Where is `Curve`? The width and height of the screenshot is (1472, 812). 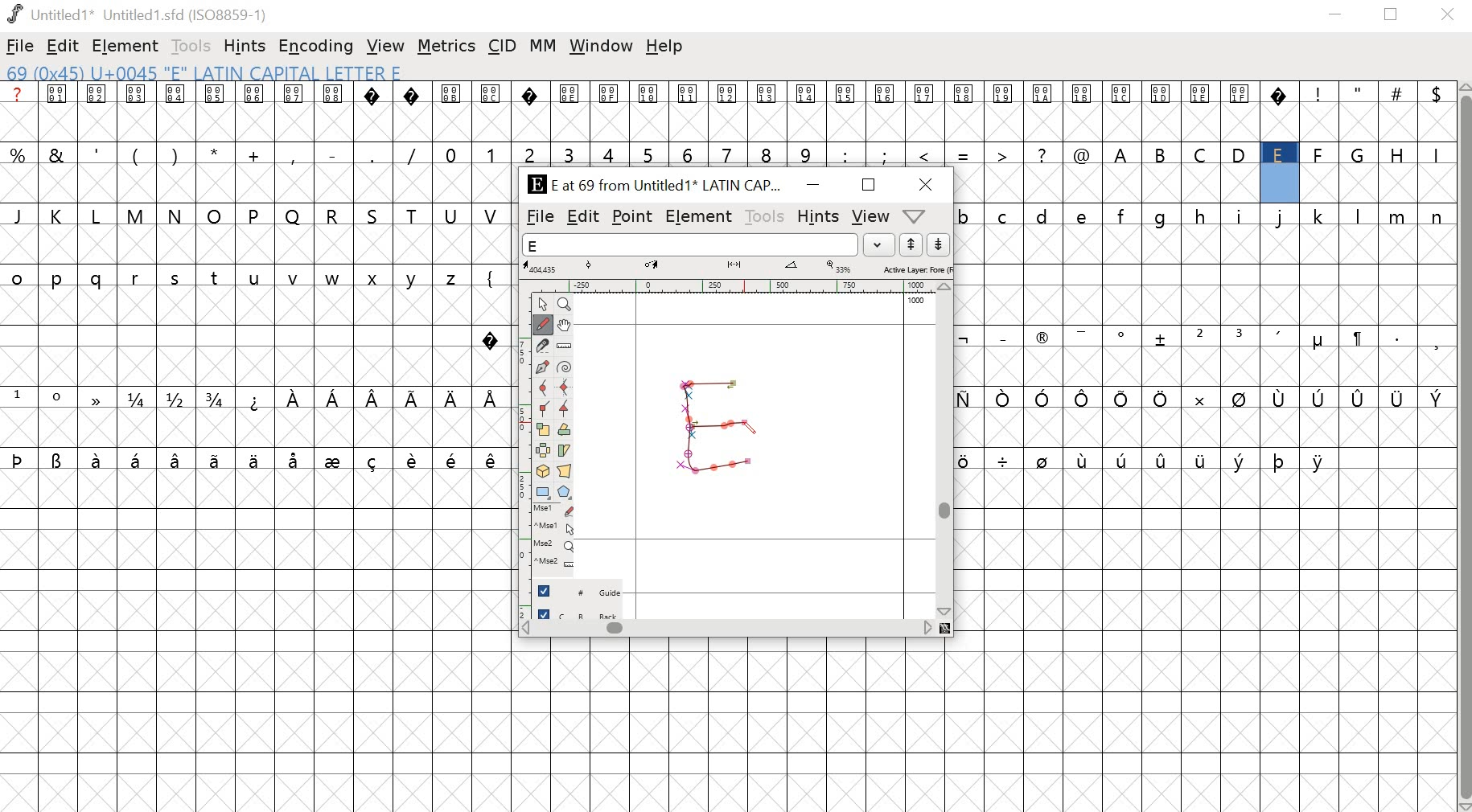
Curve is located at coordinates (544, 388).